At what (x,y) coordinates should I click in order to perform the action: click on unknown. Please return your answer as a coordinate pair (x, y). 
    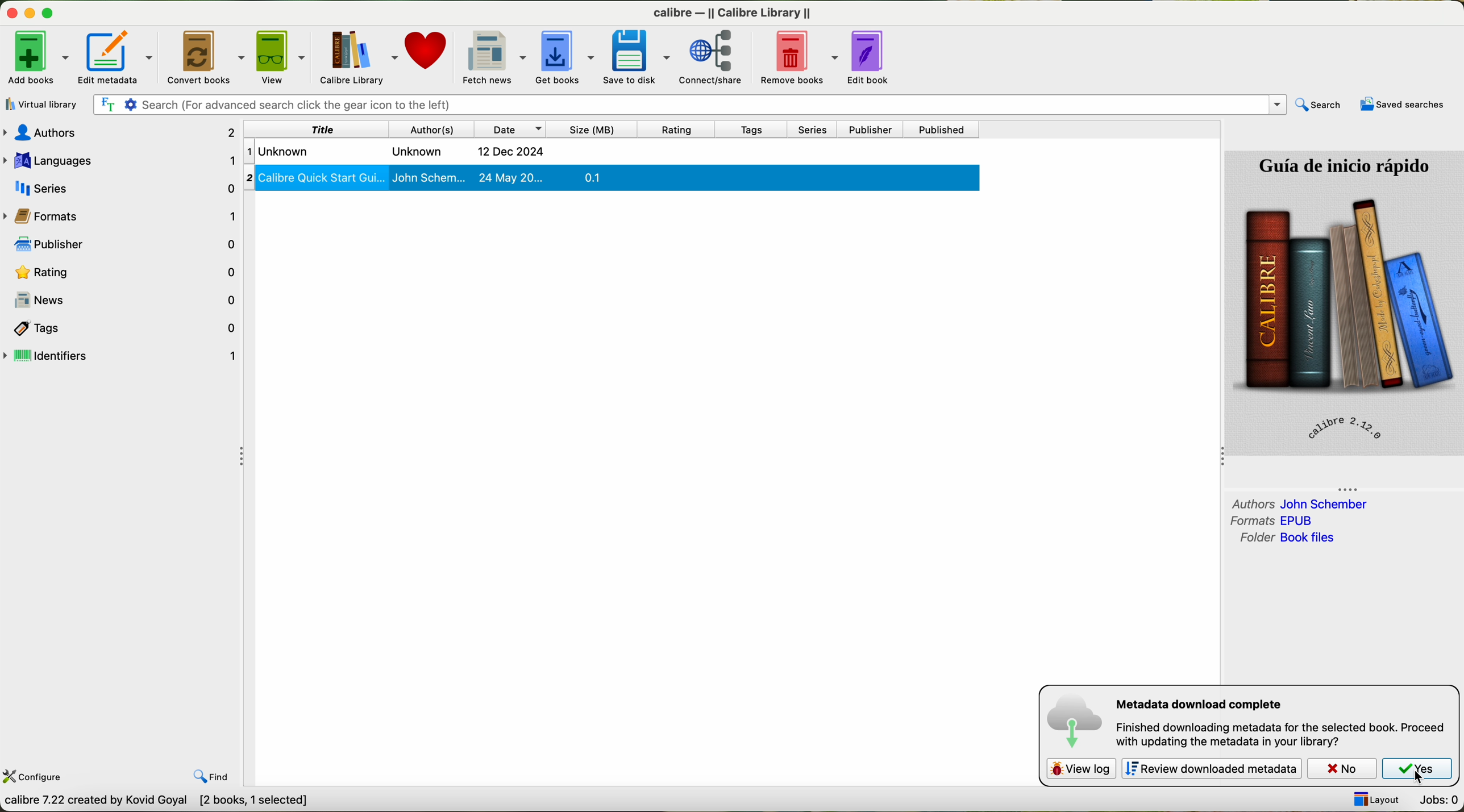
    Looking at the image, I should click on (443, 152).